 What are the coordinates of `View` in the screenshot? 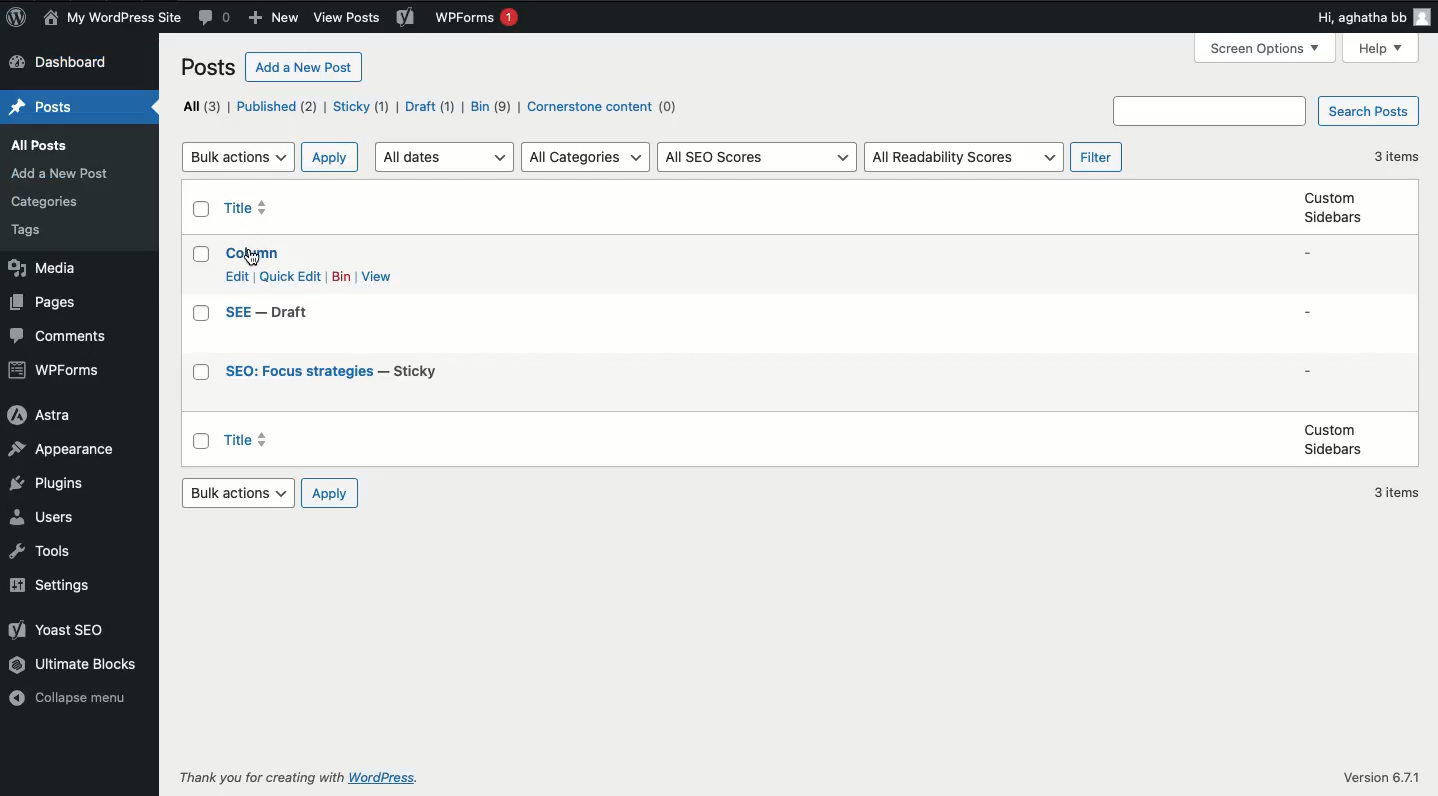 It's located at (378, 276).